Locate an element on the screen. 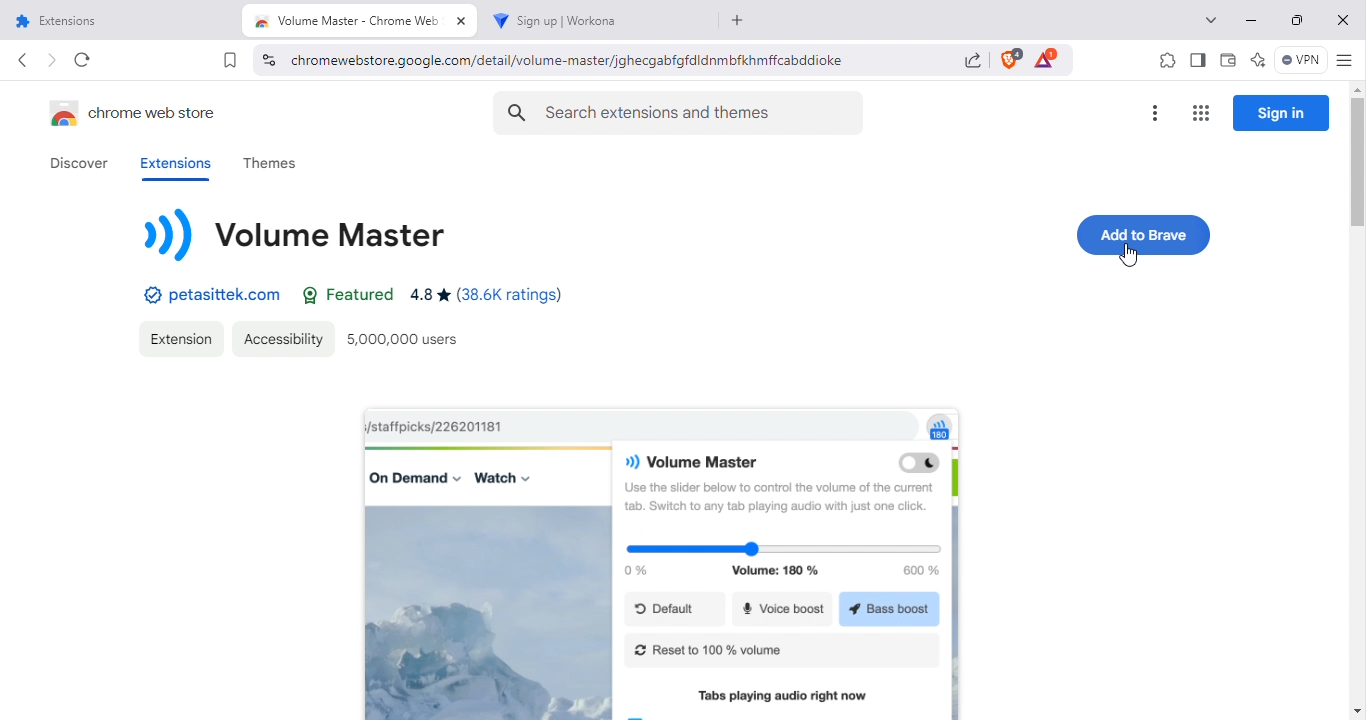 The image size is (1366, 720). Brave firewall + VPN is located at coordinates (1299, 61).